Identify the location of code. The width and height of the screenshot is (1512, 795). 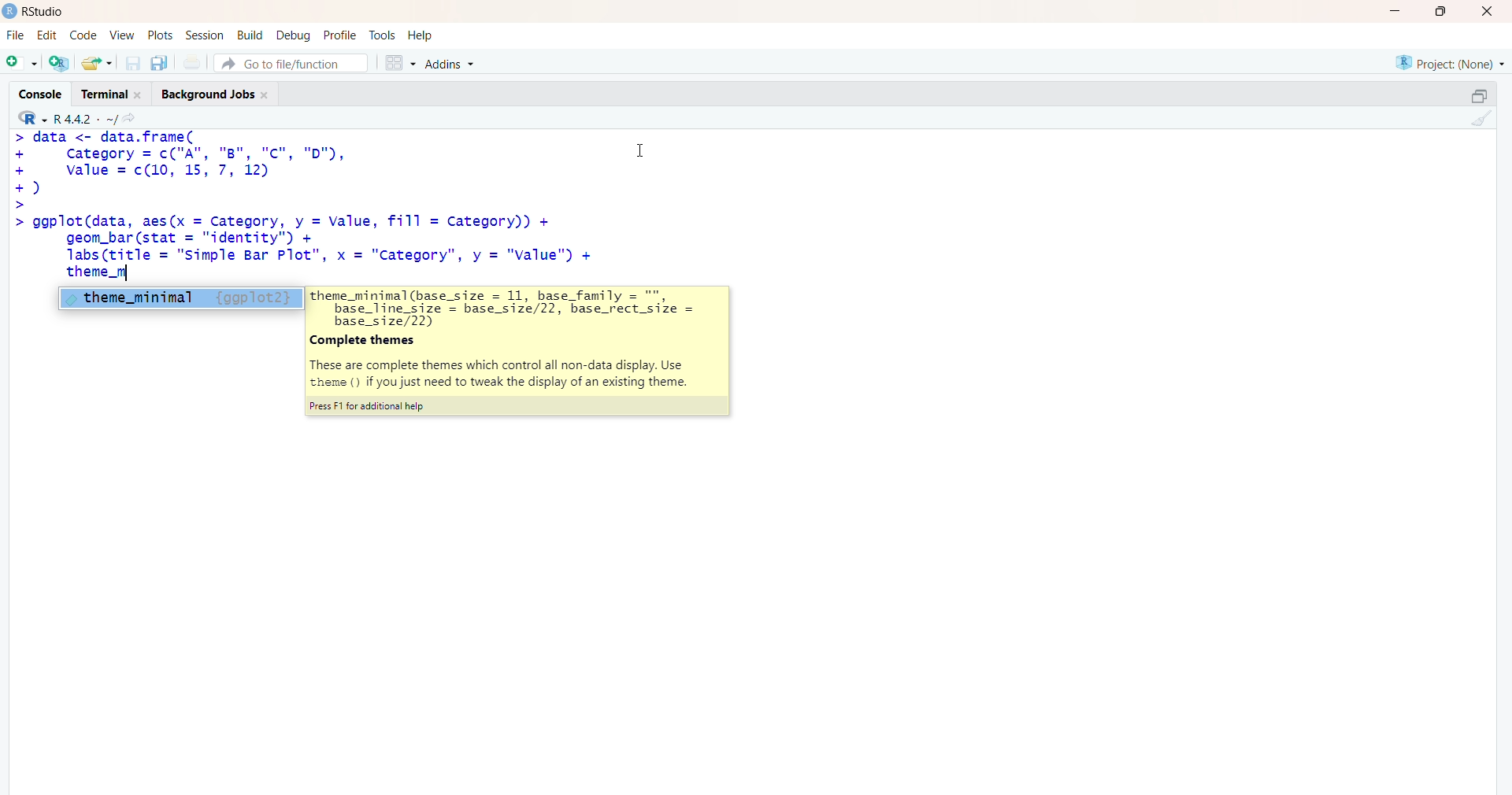
(83, 35).